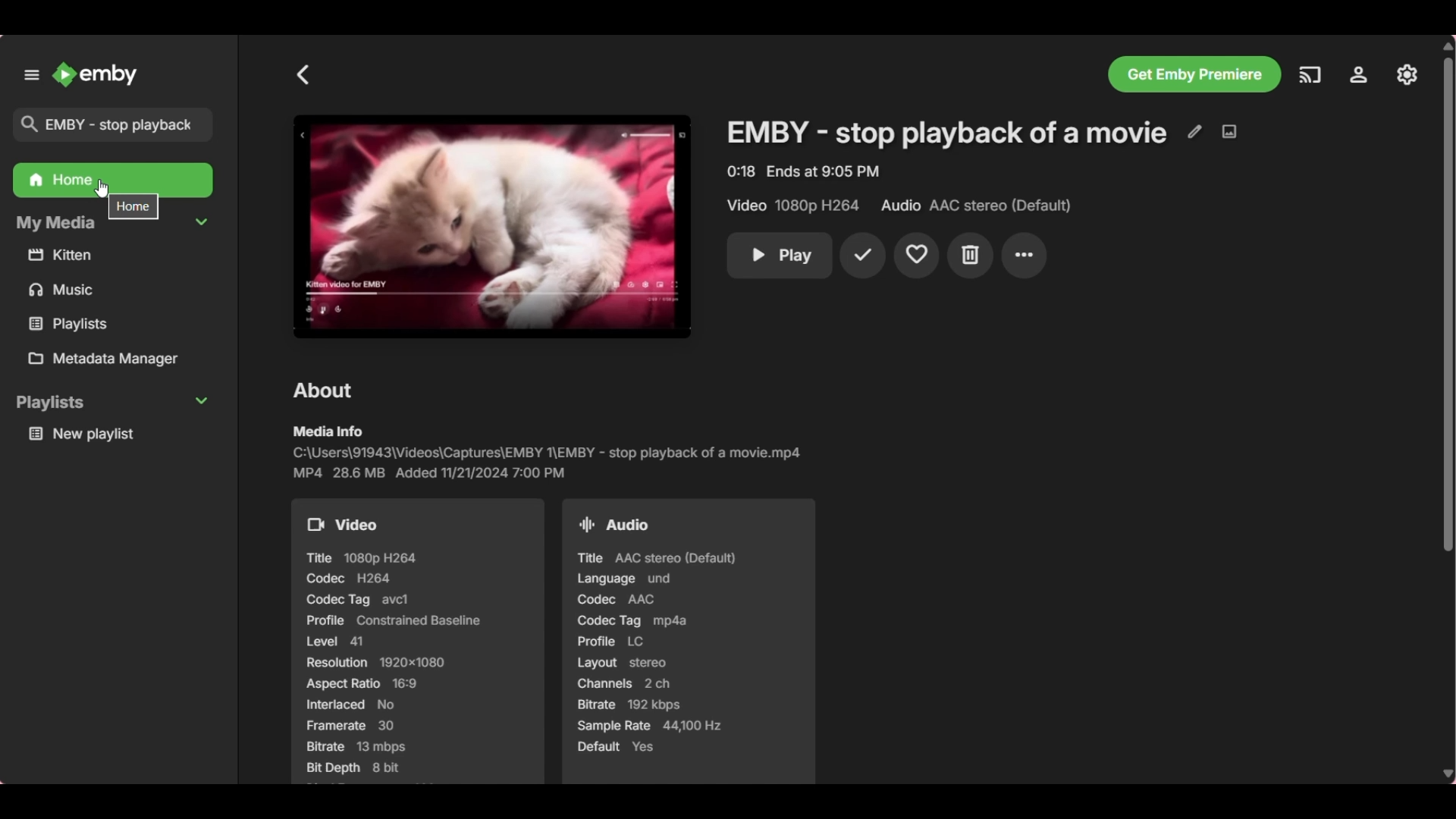  What do you see at coordinates (115, 123) in the screenshot?
I see `EMBY - stop playback` at bounding box center [115, 123].